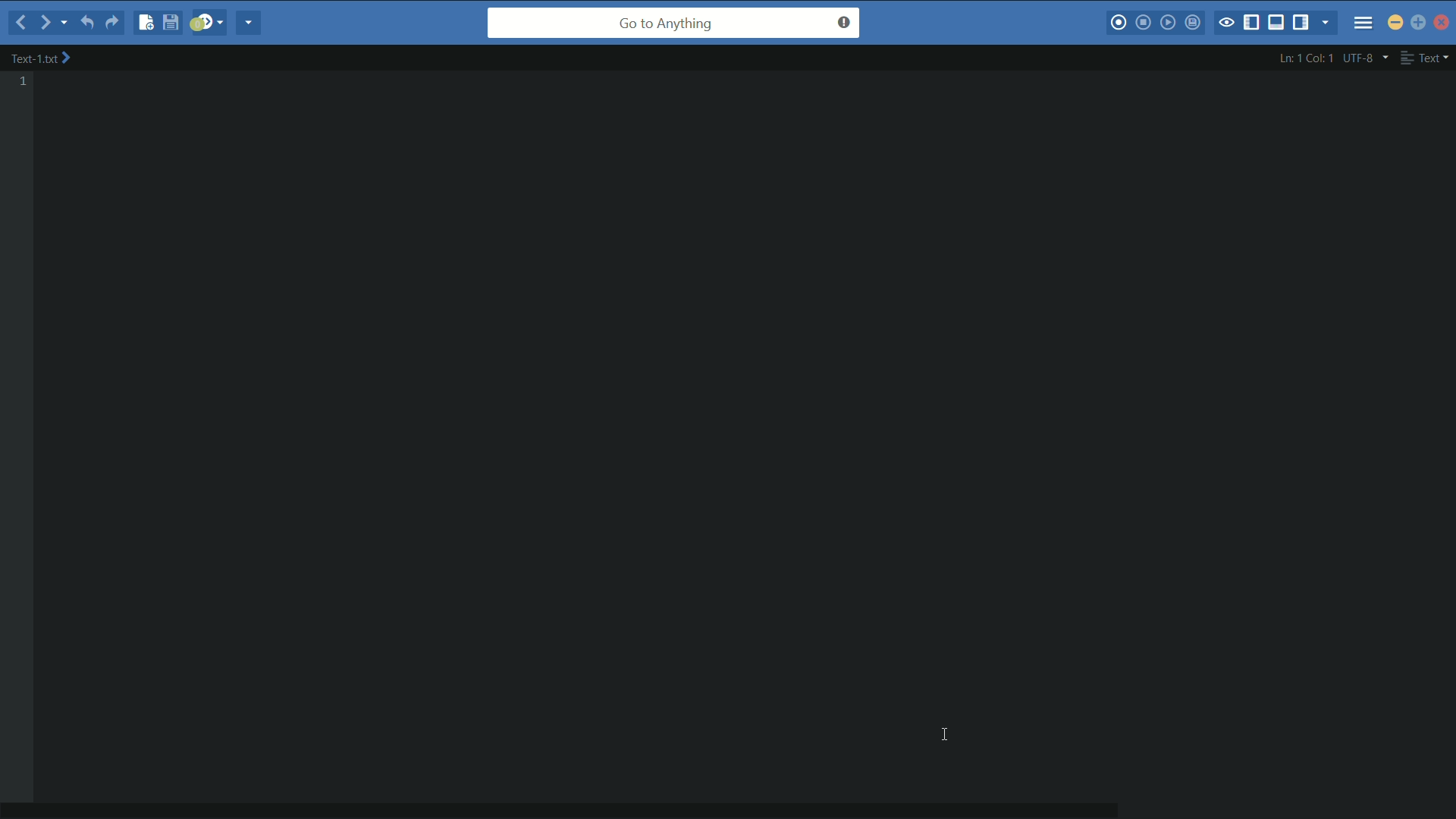 Image resolution: width=1456 pixels, height=819 pixels. What do you see at coordinates (673, 24) in the screenshot?
I see `go to anything` at bounding box center [673, 24].